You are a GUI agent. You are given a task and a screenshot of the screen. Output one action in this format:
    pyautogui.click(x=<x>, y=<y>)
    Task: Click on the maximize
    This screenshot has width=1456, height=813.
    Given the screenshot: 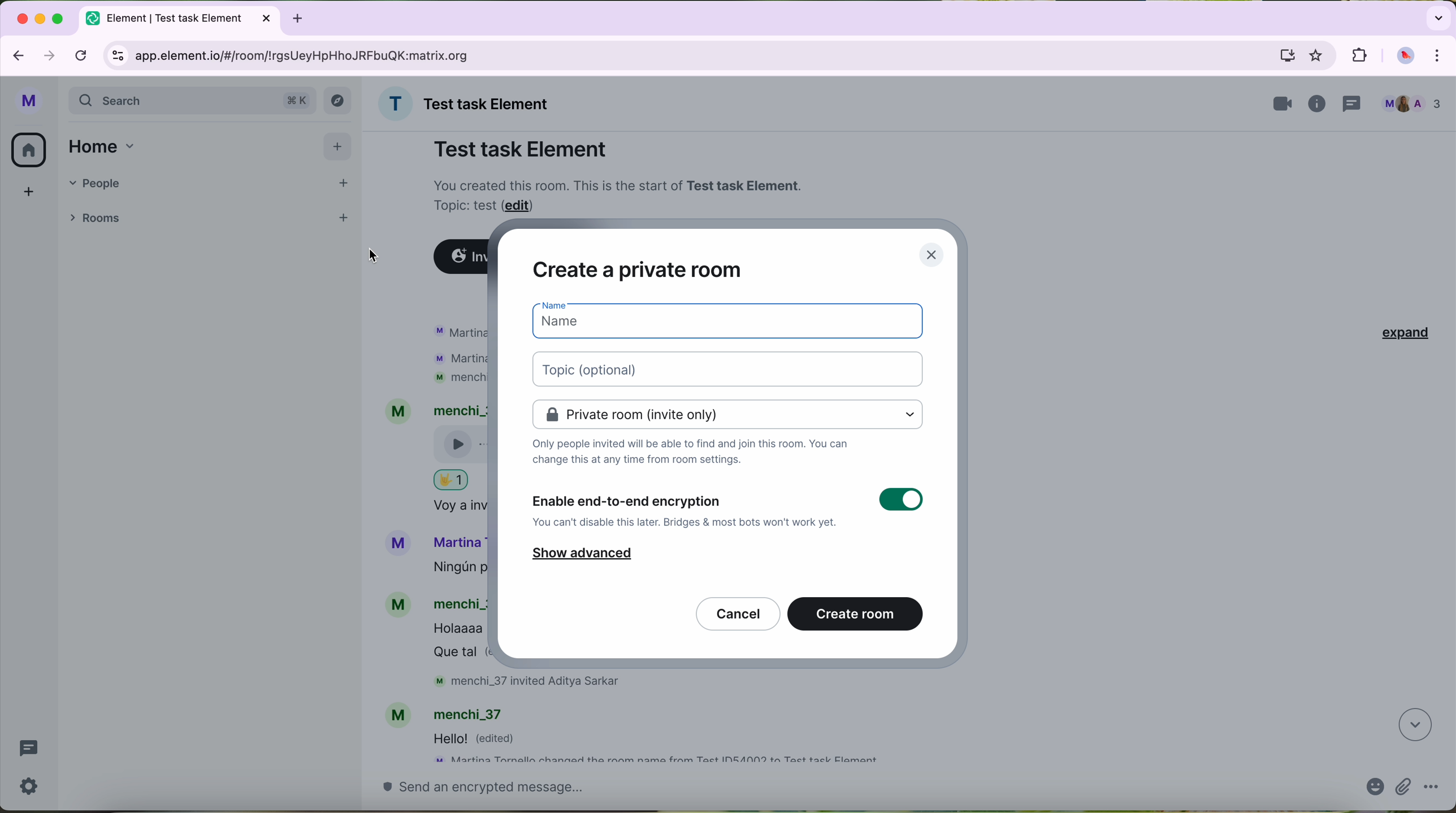 What is the action you would take?
    pyautogui.click(x=59, y=18)
    